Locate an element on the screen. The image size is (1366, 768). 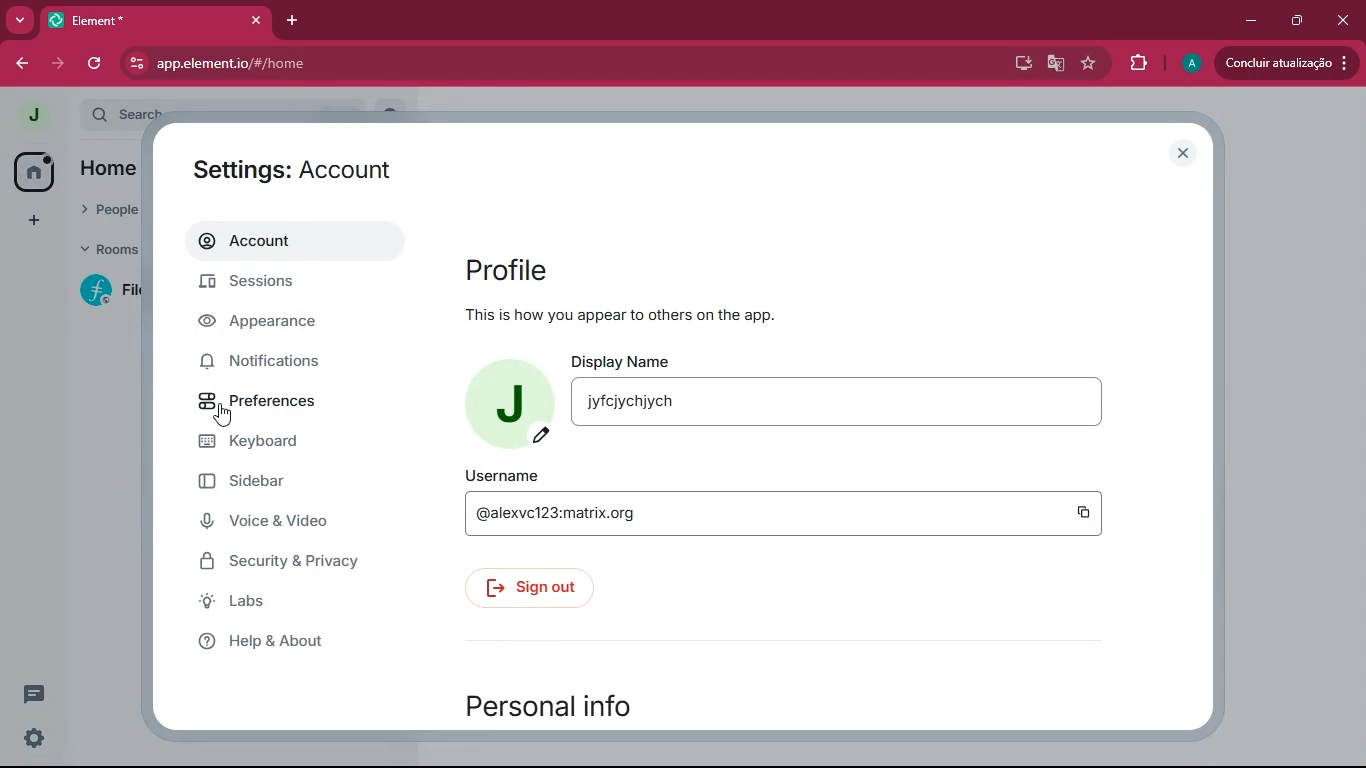
app.element.io/#/home is located at coordinates (335, 64).